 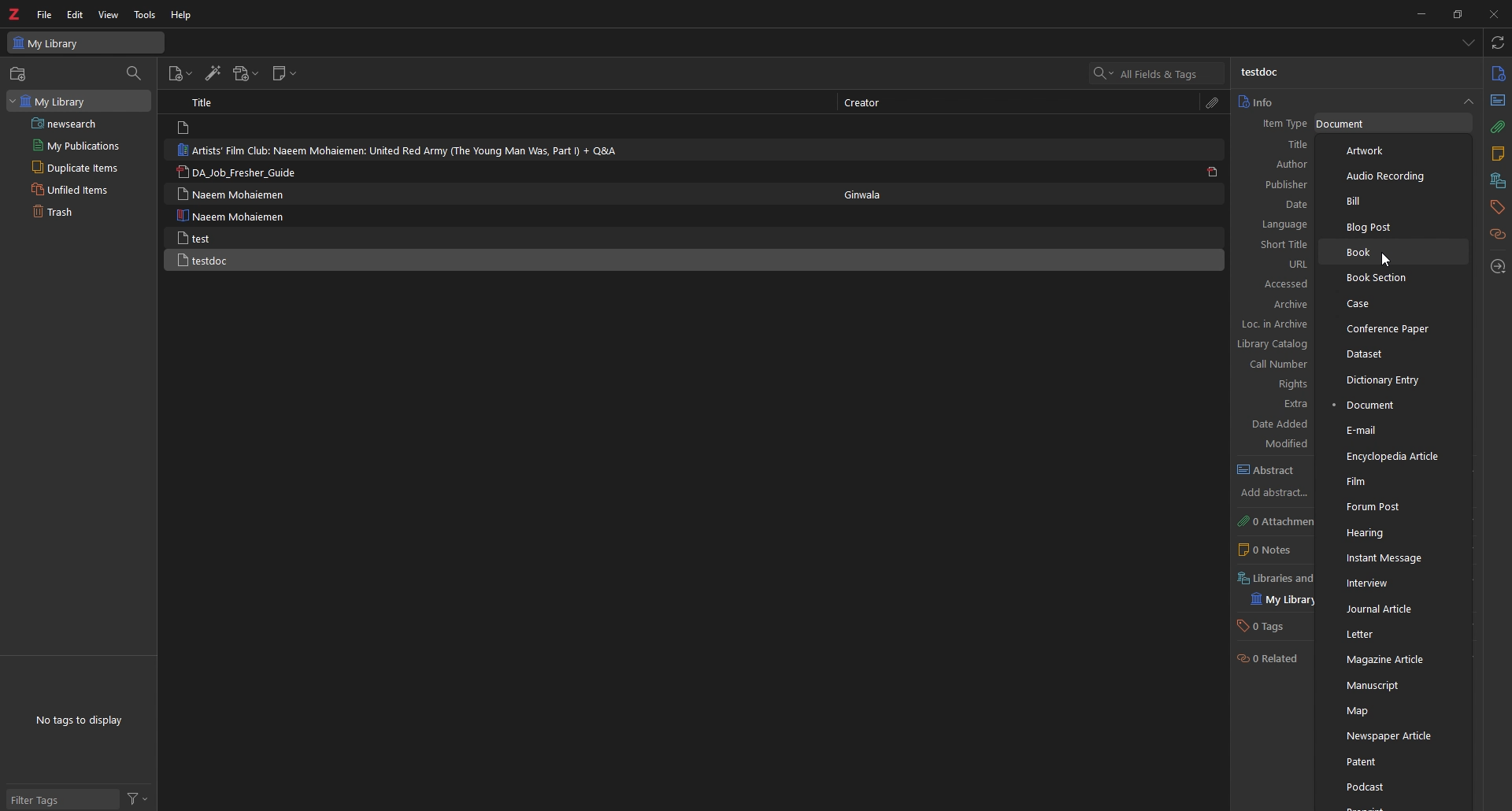 What do you see at coordinates (1282, 146) in the screenshot?
I see `Title` at bounding box center [1282, 146].